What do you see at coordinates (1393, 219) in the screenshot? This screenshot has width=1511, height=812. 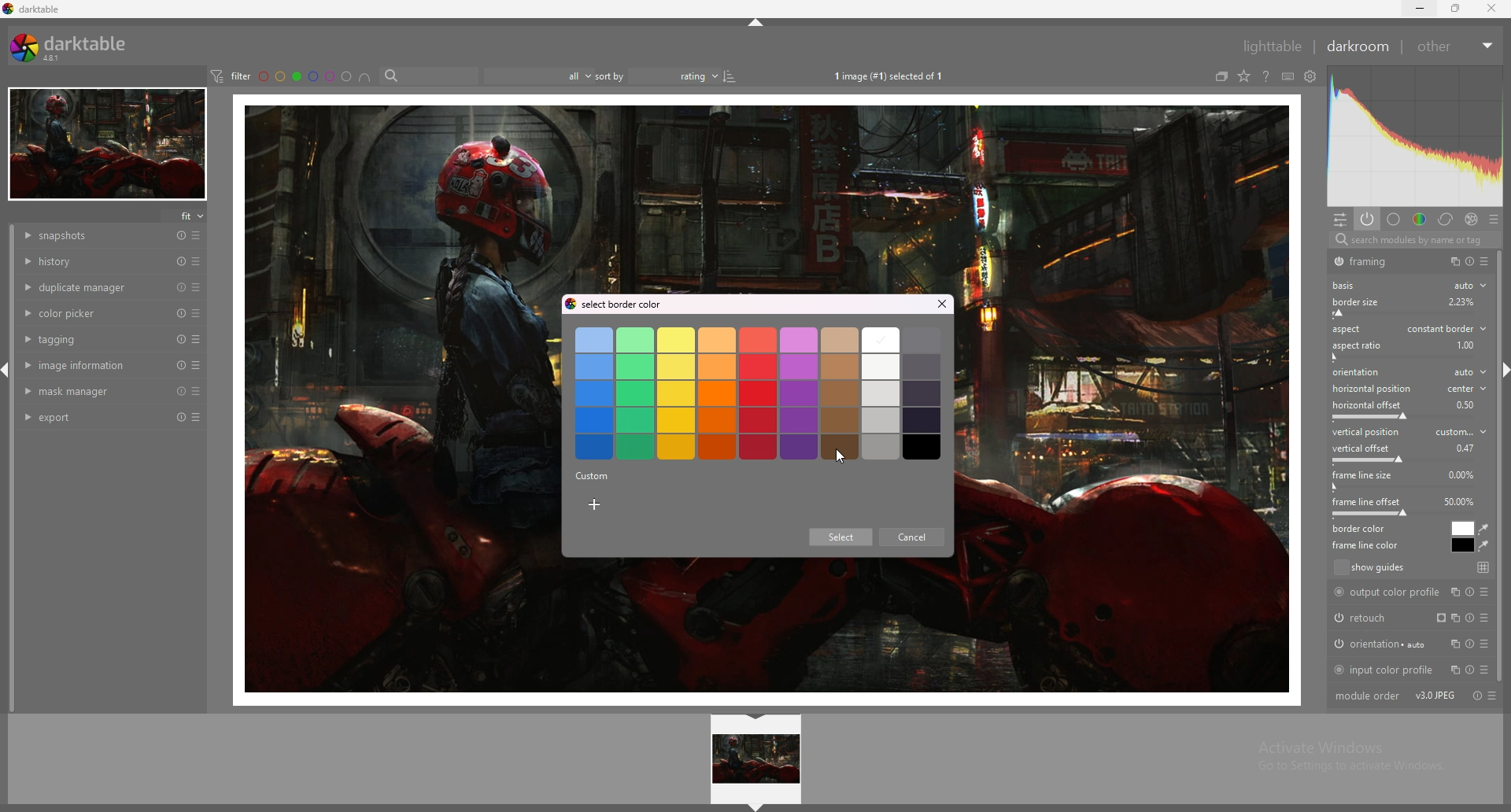 I see `base` at bounding box center [1393, 219].